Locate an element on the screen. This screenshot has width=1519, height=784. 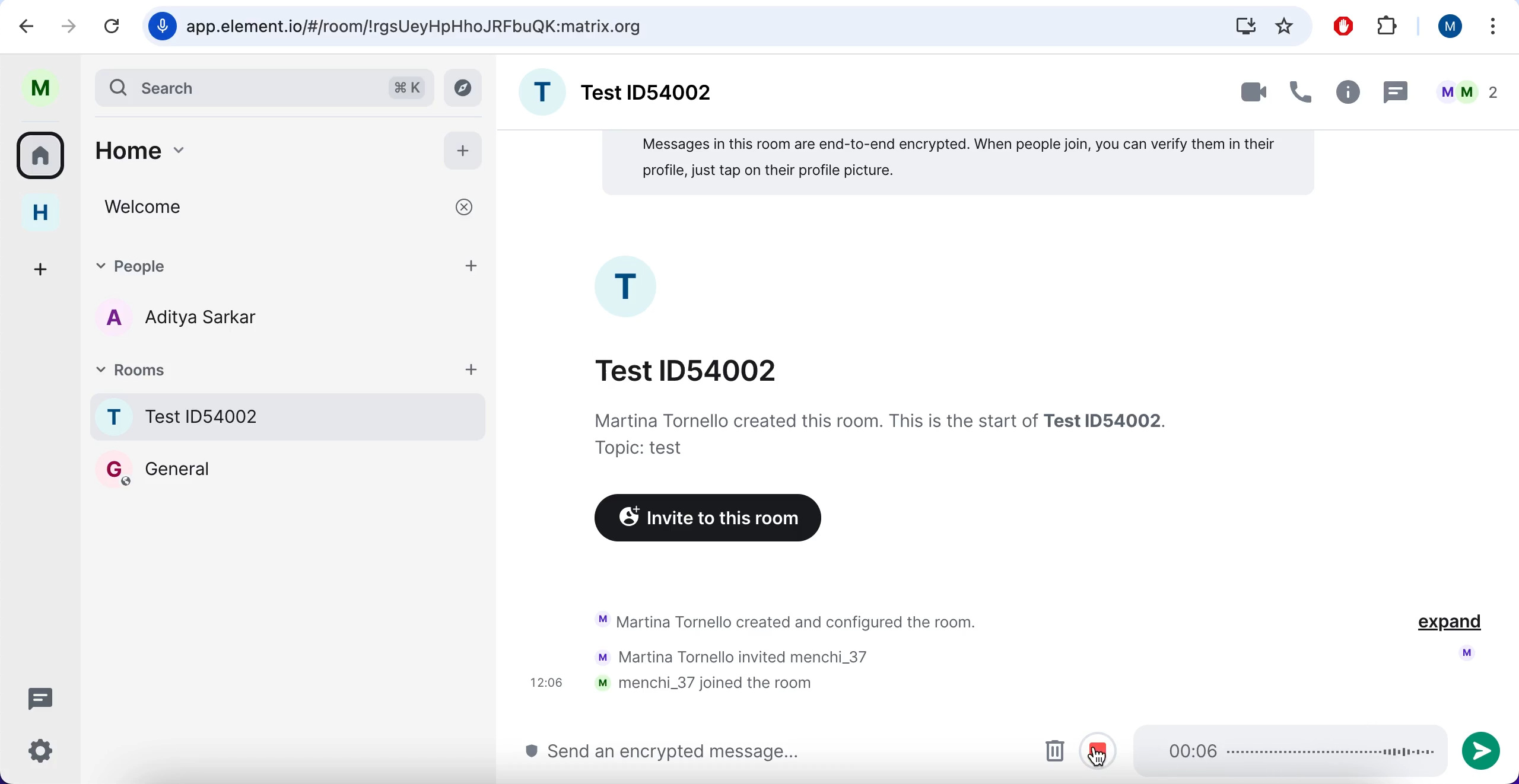
home is located at coordinates (256, 149).